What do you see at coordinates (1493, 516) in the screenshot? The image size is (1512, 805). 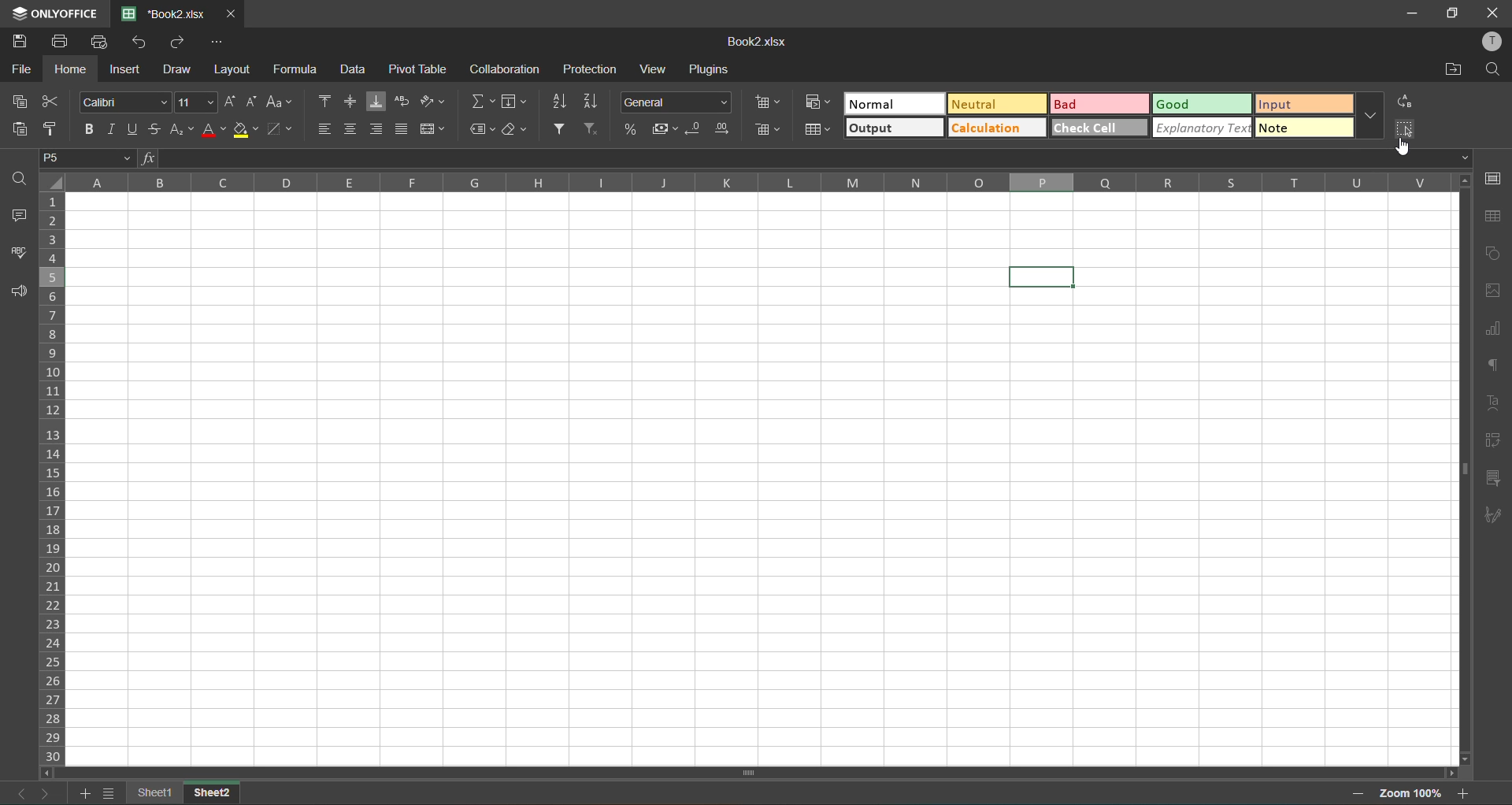 I see `signature` at bounding box center [1493, 516].